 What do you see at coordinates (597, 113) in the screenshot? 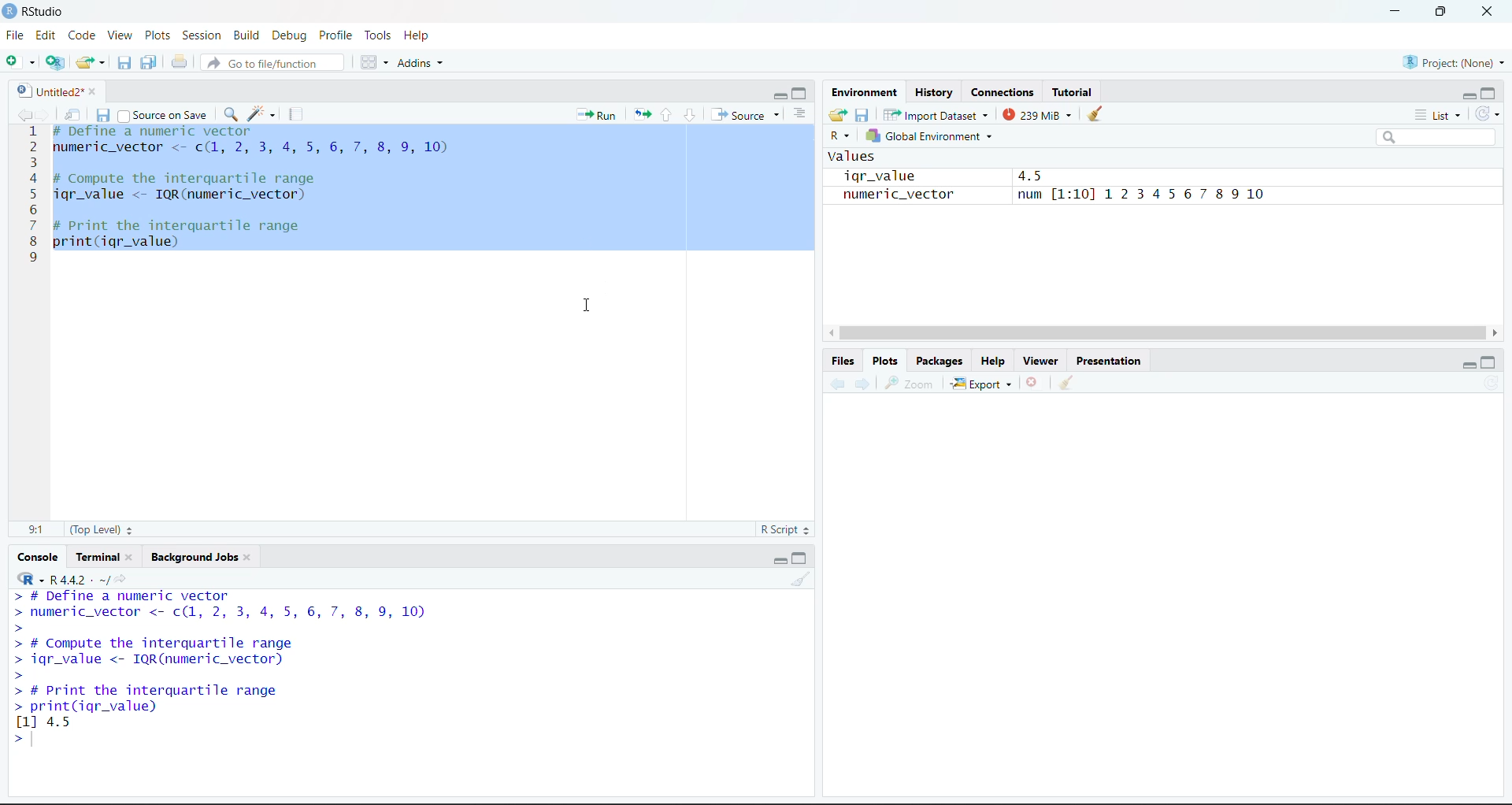
I see `Run the current line or selection (Ctrl + Enter)` at bounding box center [597, 113].